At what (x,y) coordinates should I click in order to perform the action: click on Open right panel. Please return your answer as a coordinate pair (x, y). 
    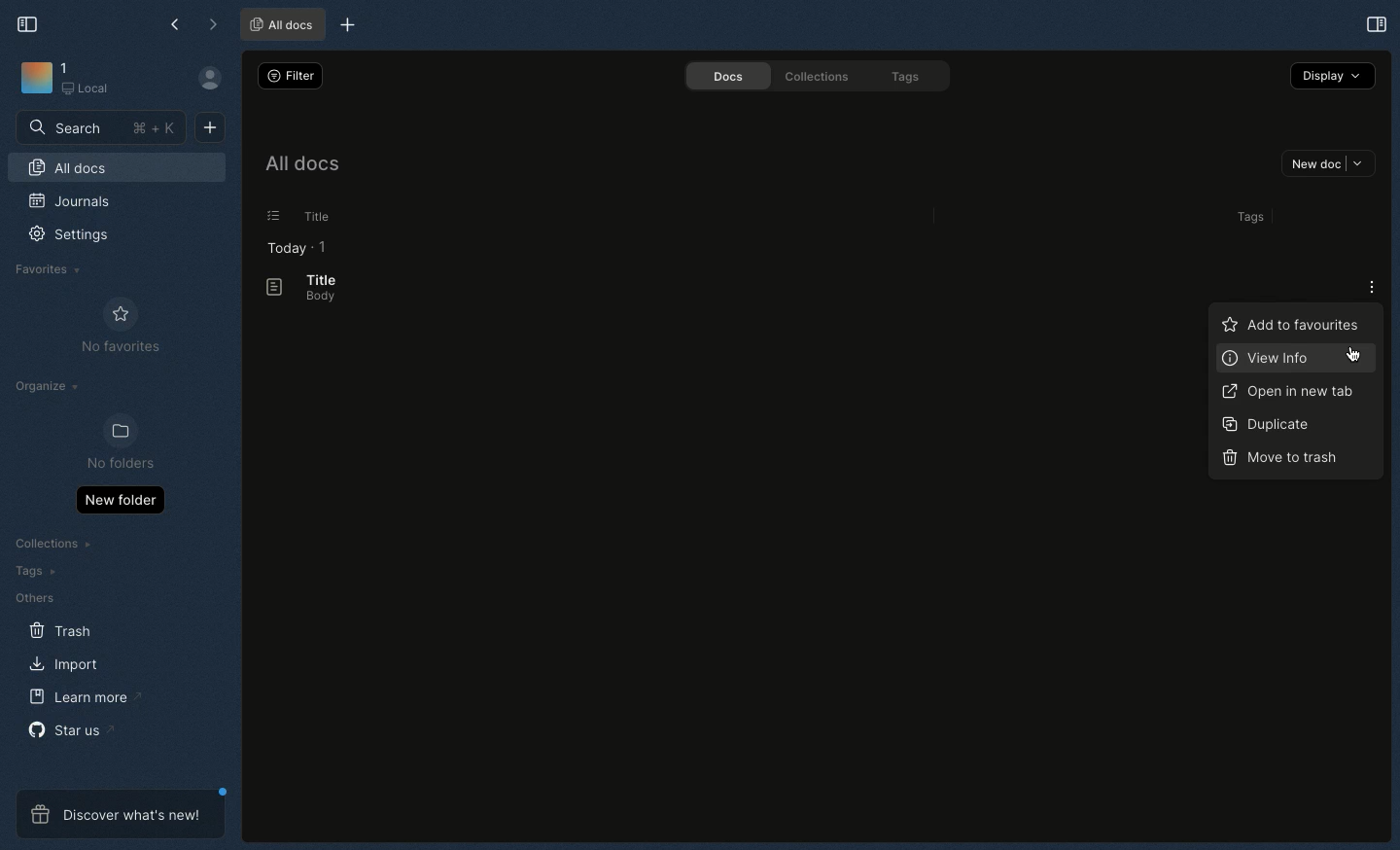
    Looking at the image, I should click on (1374, 23).